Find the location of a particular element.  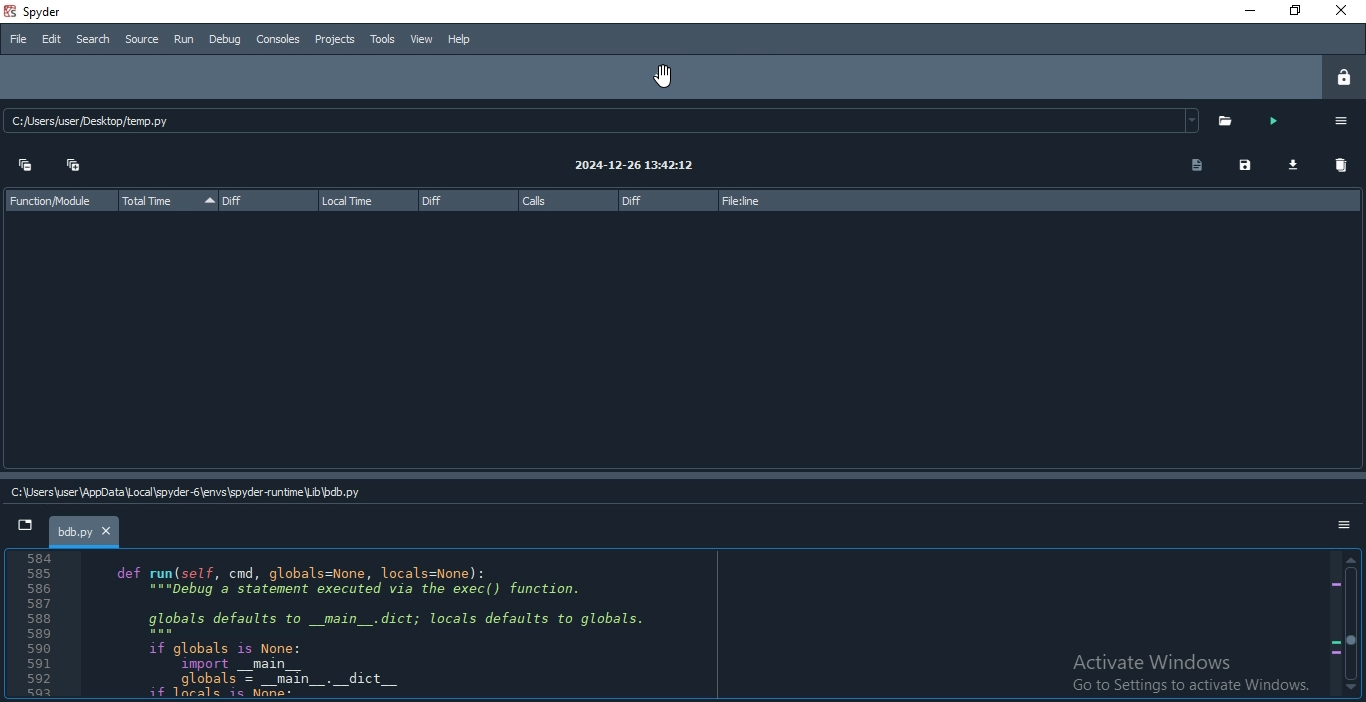

C:/Users/user Desktop/temp.py is located at coordinates (604, 120).